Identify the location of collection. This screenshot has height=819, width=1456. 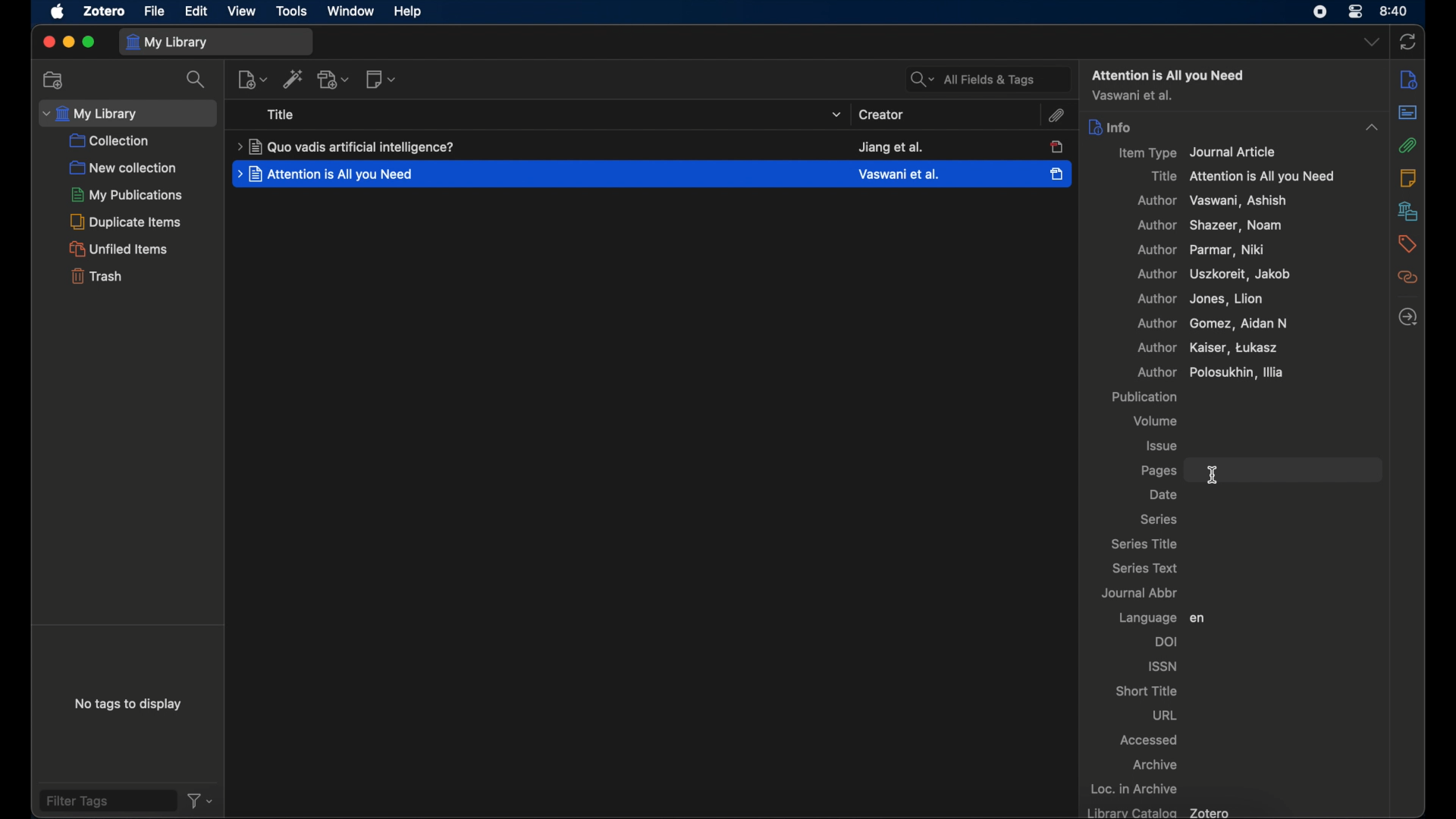
(111, 141).